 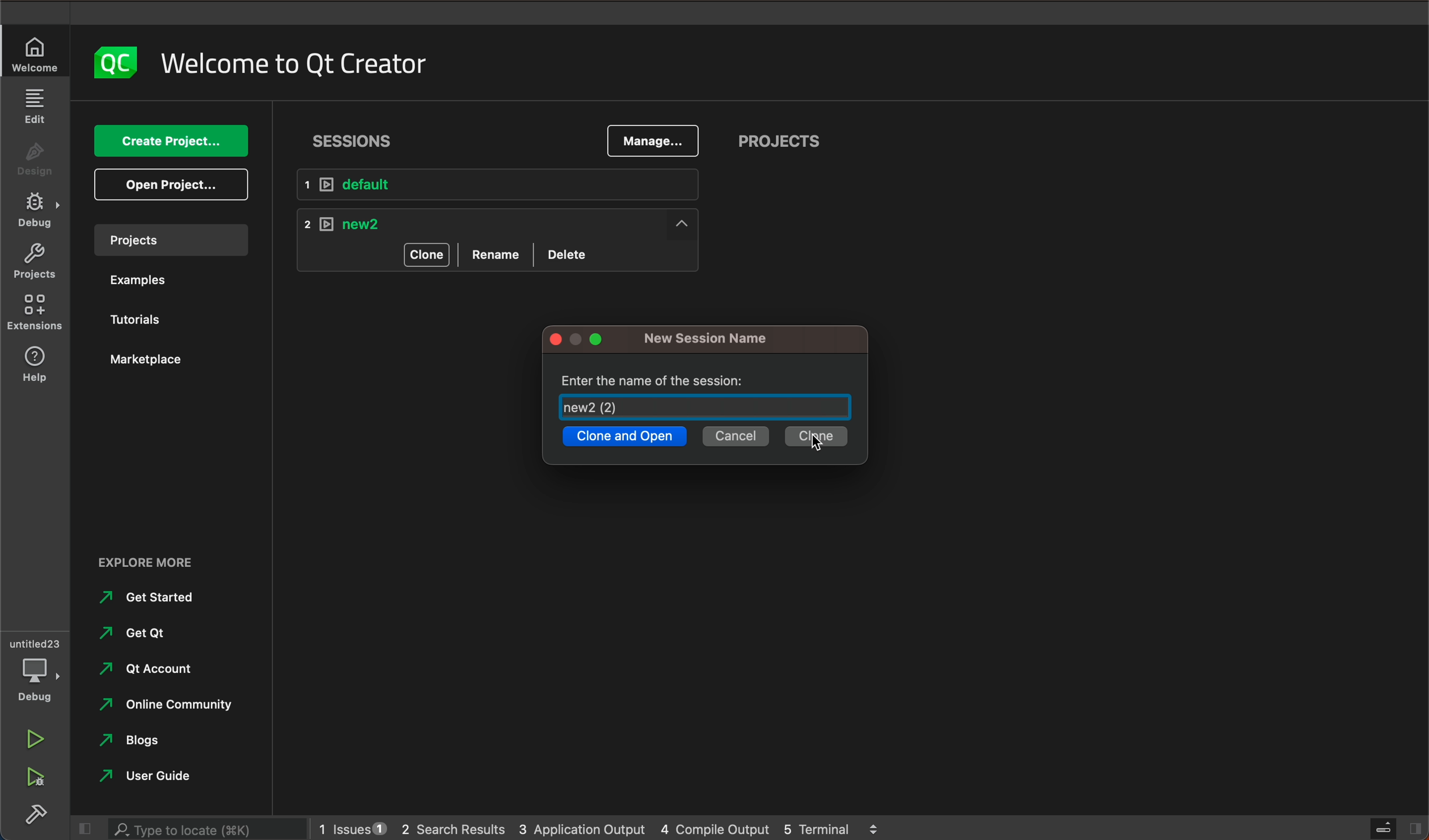 I want to click on projects, so click(x=35, y=262).